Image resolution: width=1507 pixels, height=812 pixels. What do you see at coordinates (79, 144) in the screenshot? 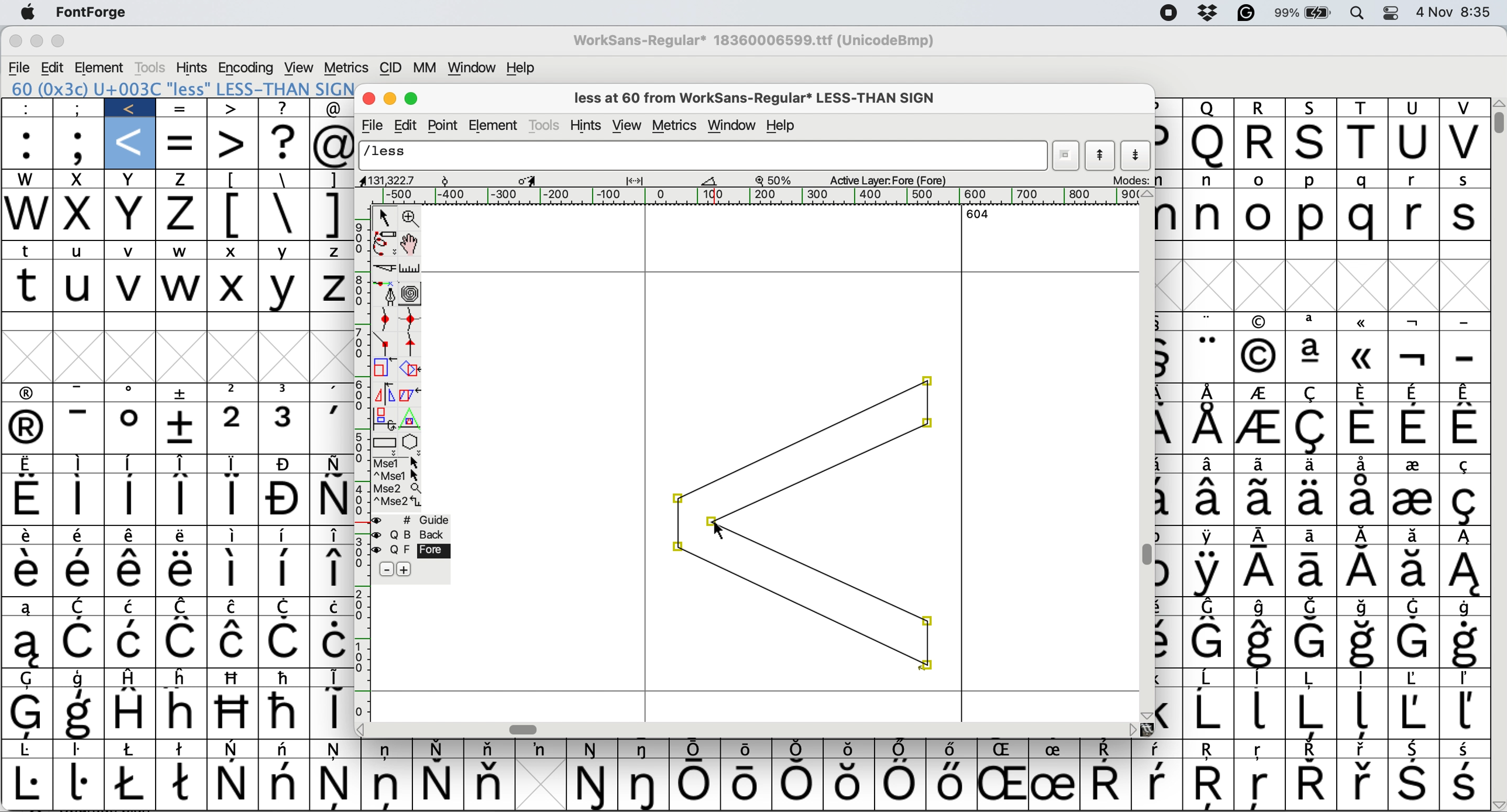
I see `;` at bounding box center [79, 144].